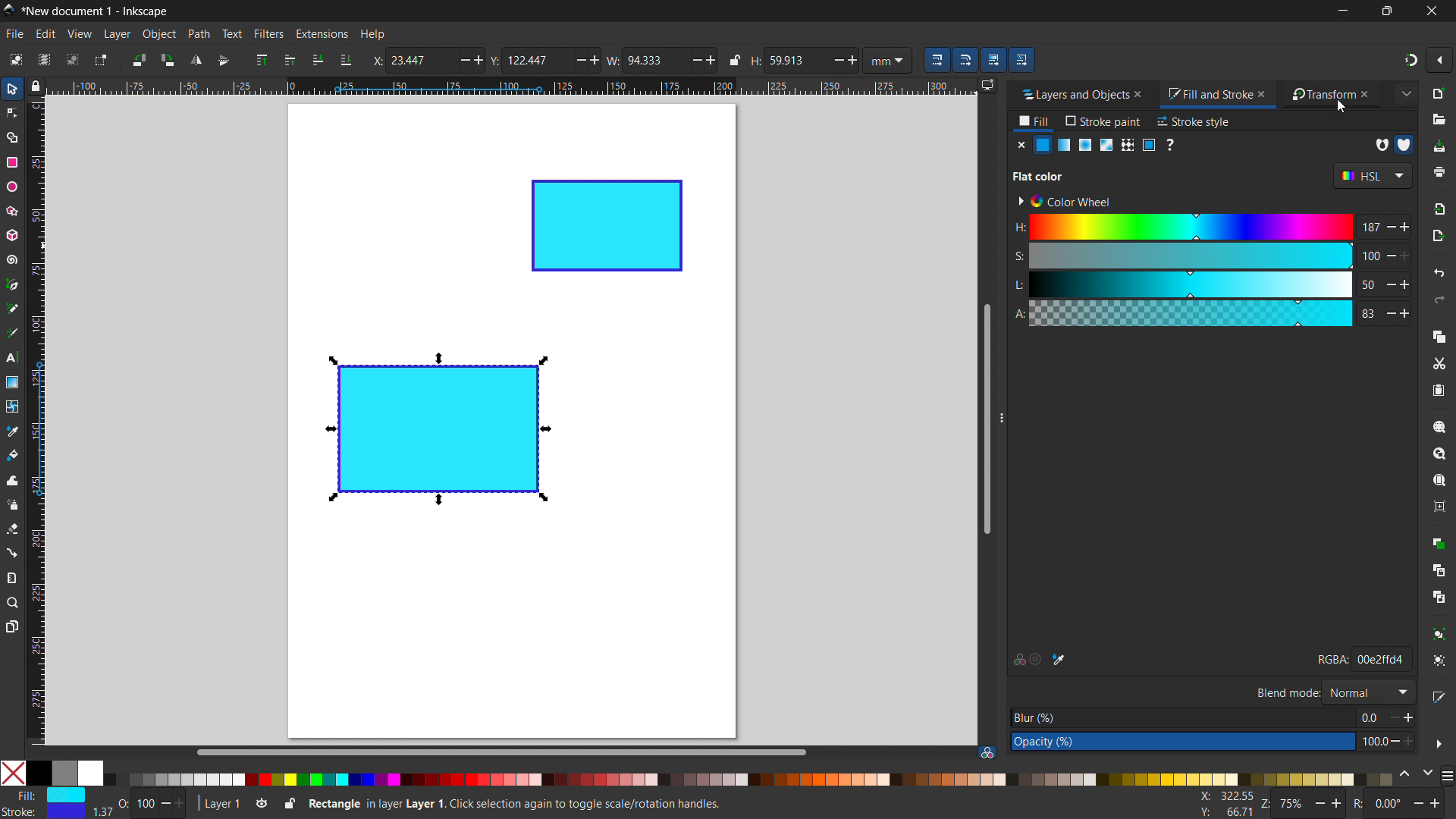  What do you see at coordinates (346, 61) in the screenshot?
I see `lower to bottom` at bounding box center [346, 61].